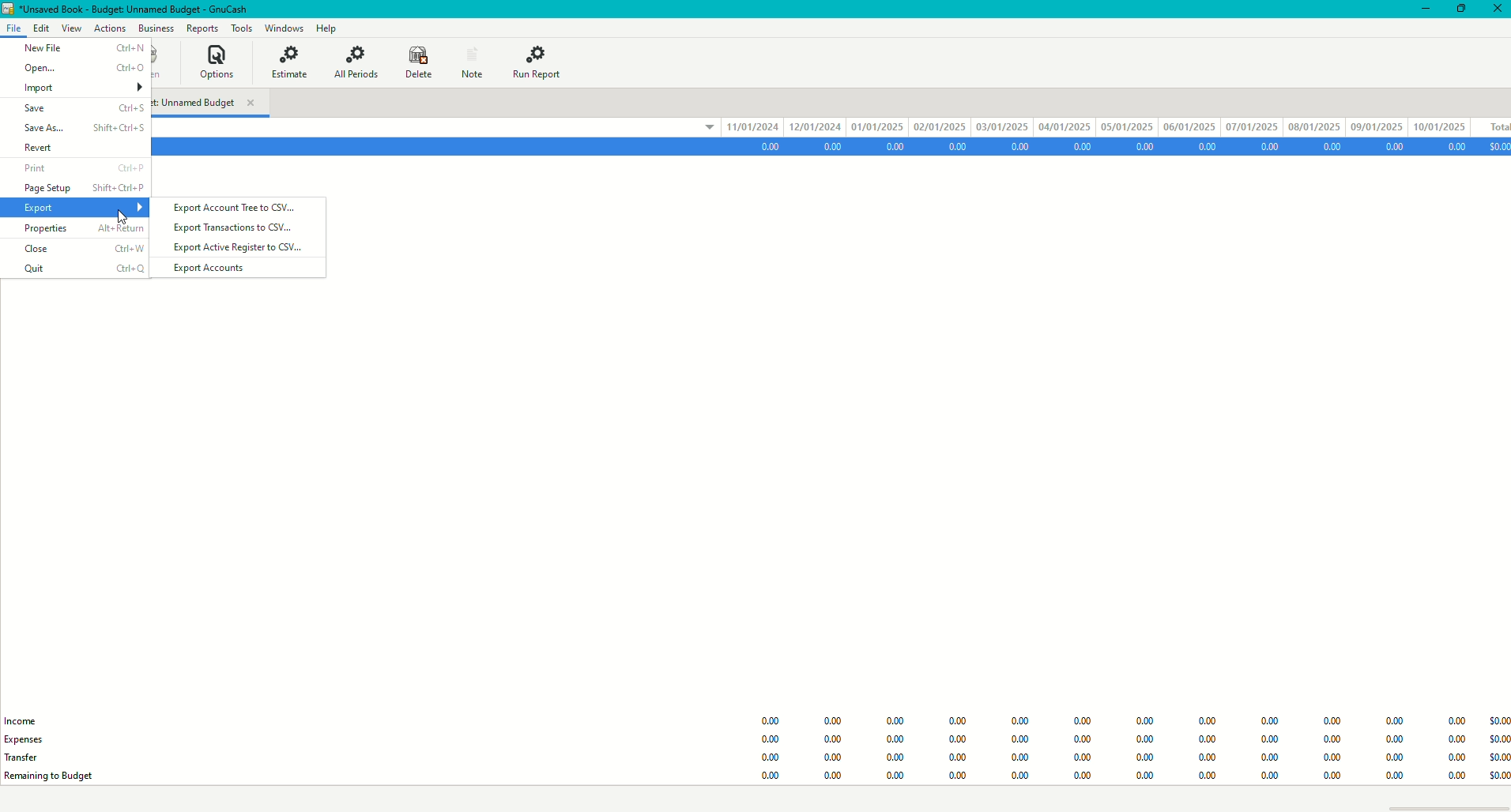 This screenshot has width=1511, height=812. What do you see at coordinates (238, 26) in the screenshot?
I see `Tools` at bounding box center [238, 26].